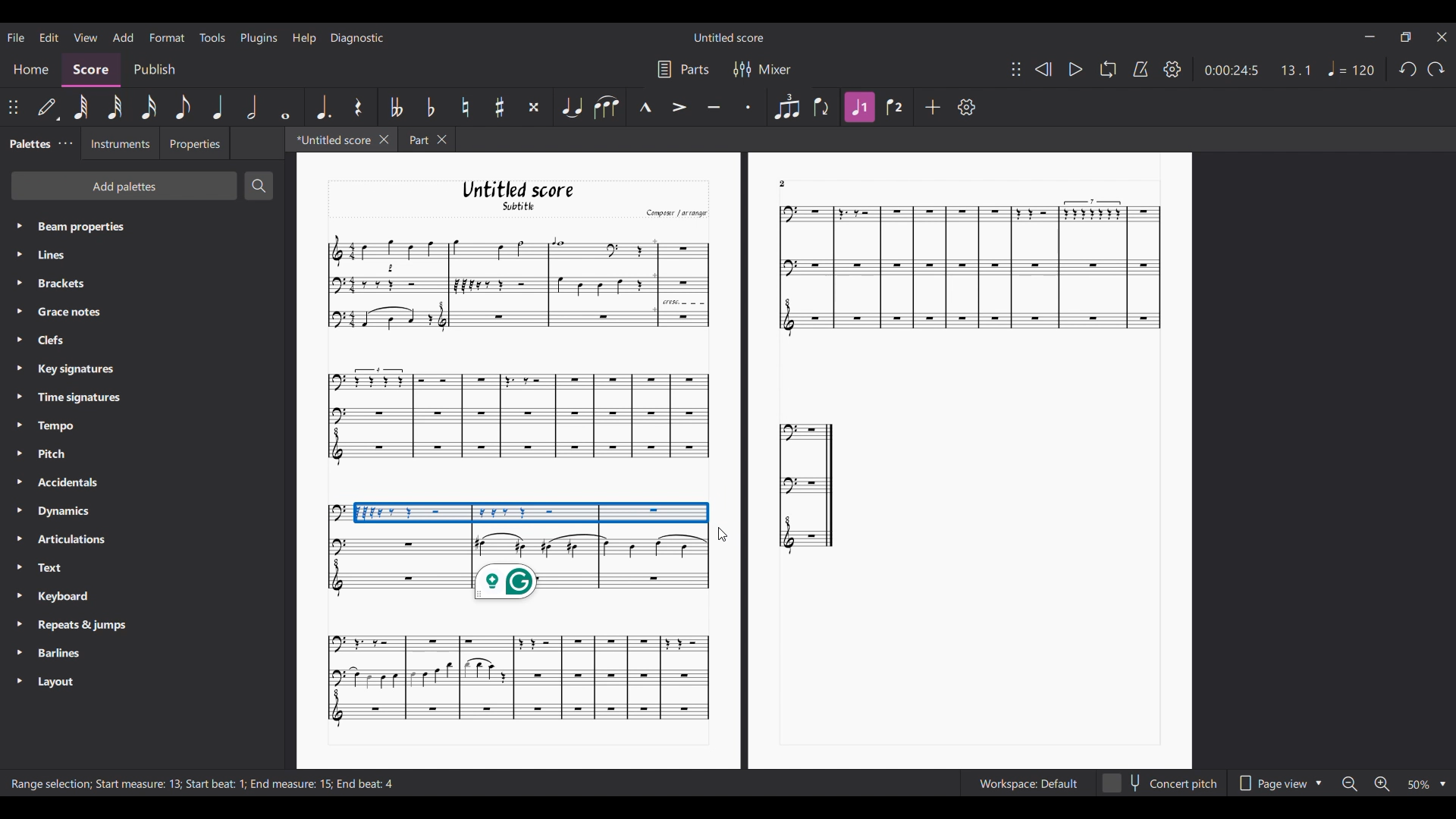  Describe the element at coordinates (506, 582) in the screenshot. I see `Grammarly extension` at that location.